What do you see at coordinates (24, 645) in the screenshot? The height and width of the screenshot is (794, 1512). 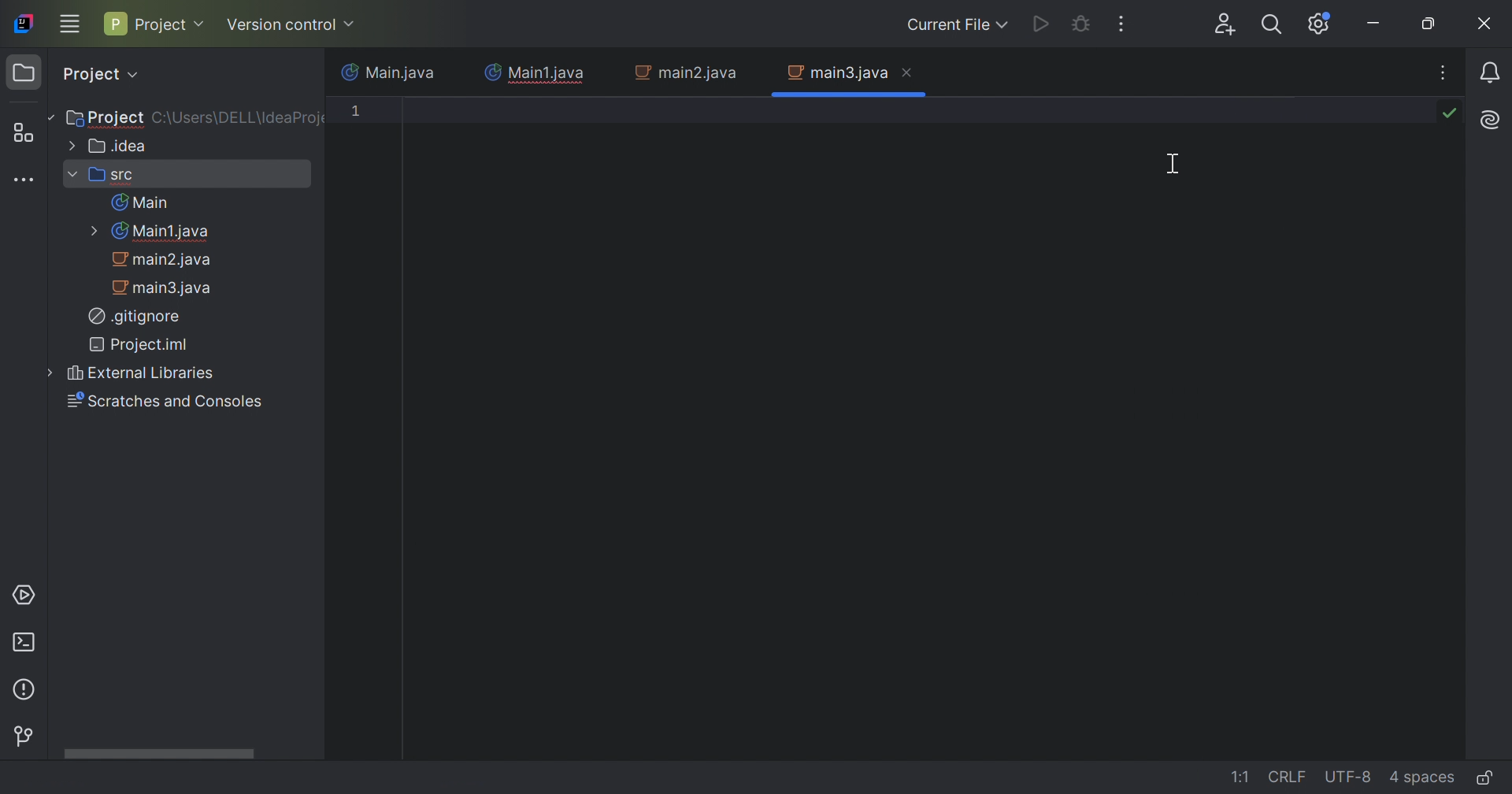 I see `Terminal` at bounding box center [24, 645].